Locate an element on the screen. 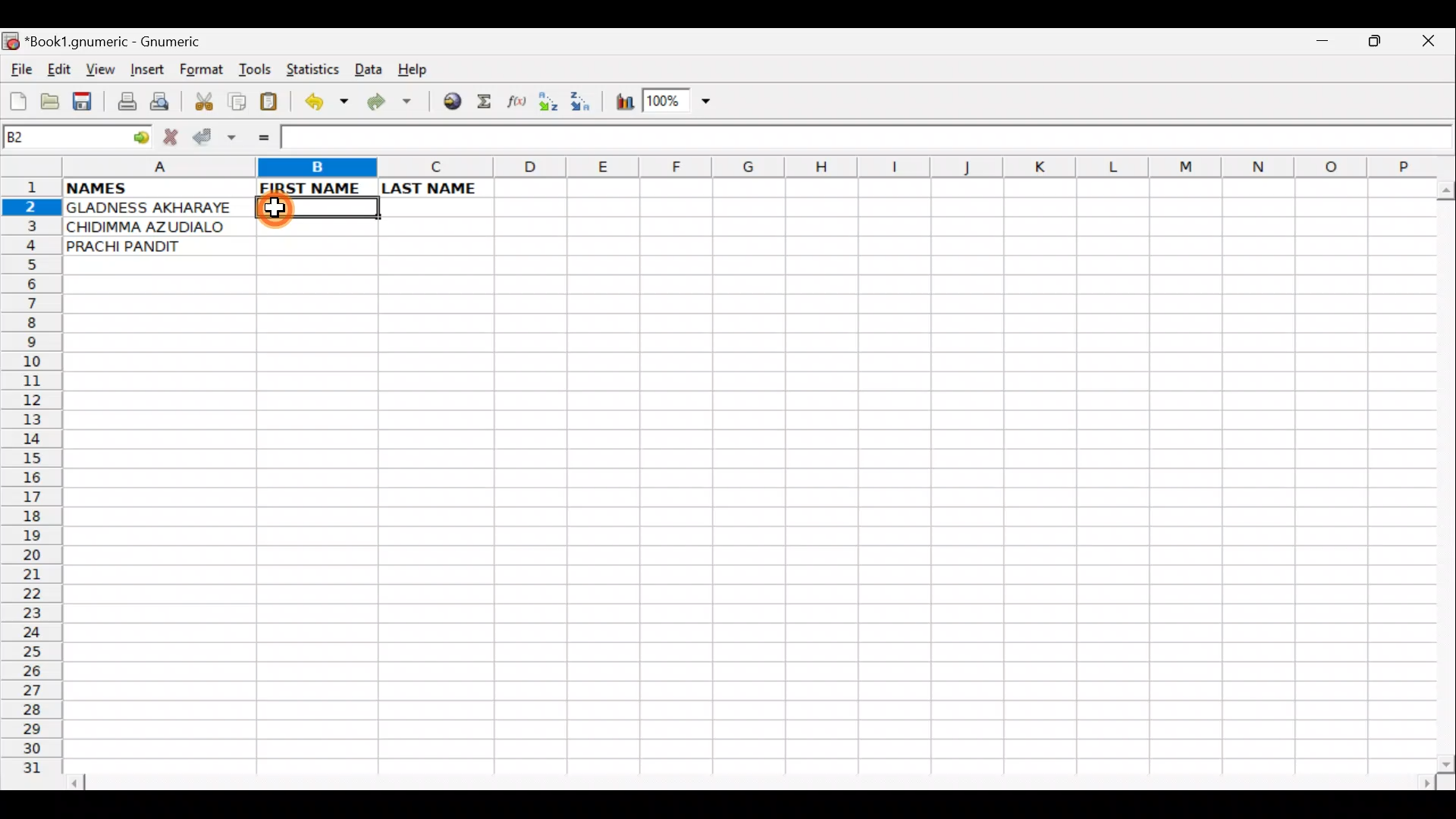  FIRST NAME is located at coordinates (317, 188).